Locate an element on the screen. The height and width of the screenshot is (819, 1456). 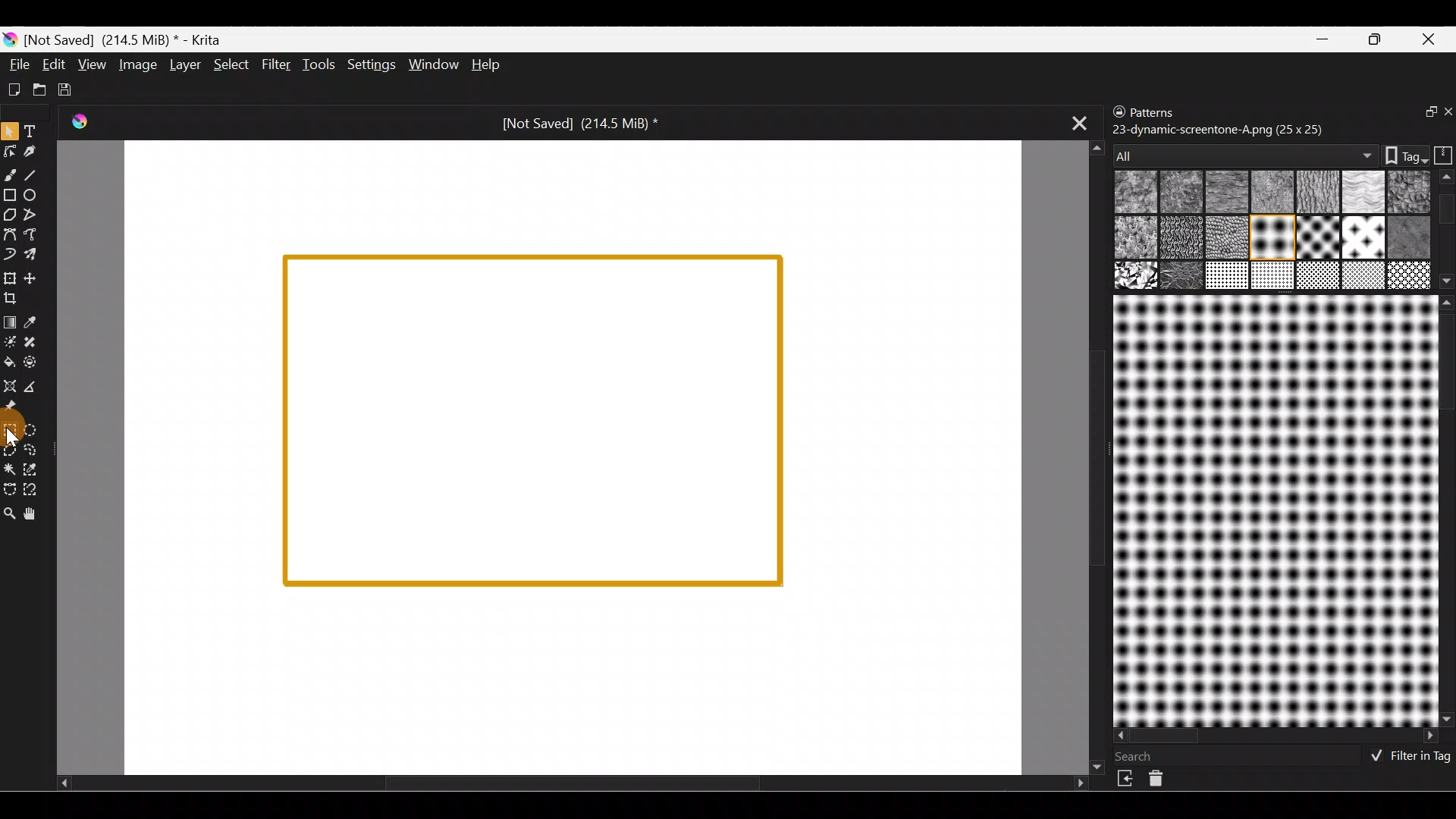
Maximize is located at coordinates (1379, 39).